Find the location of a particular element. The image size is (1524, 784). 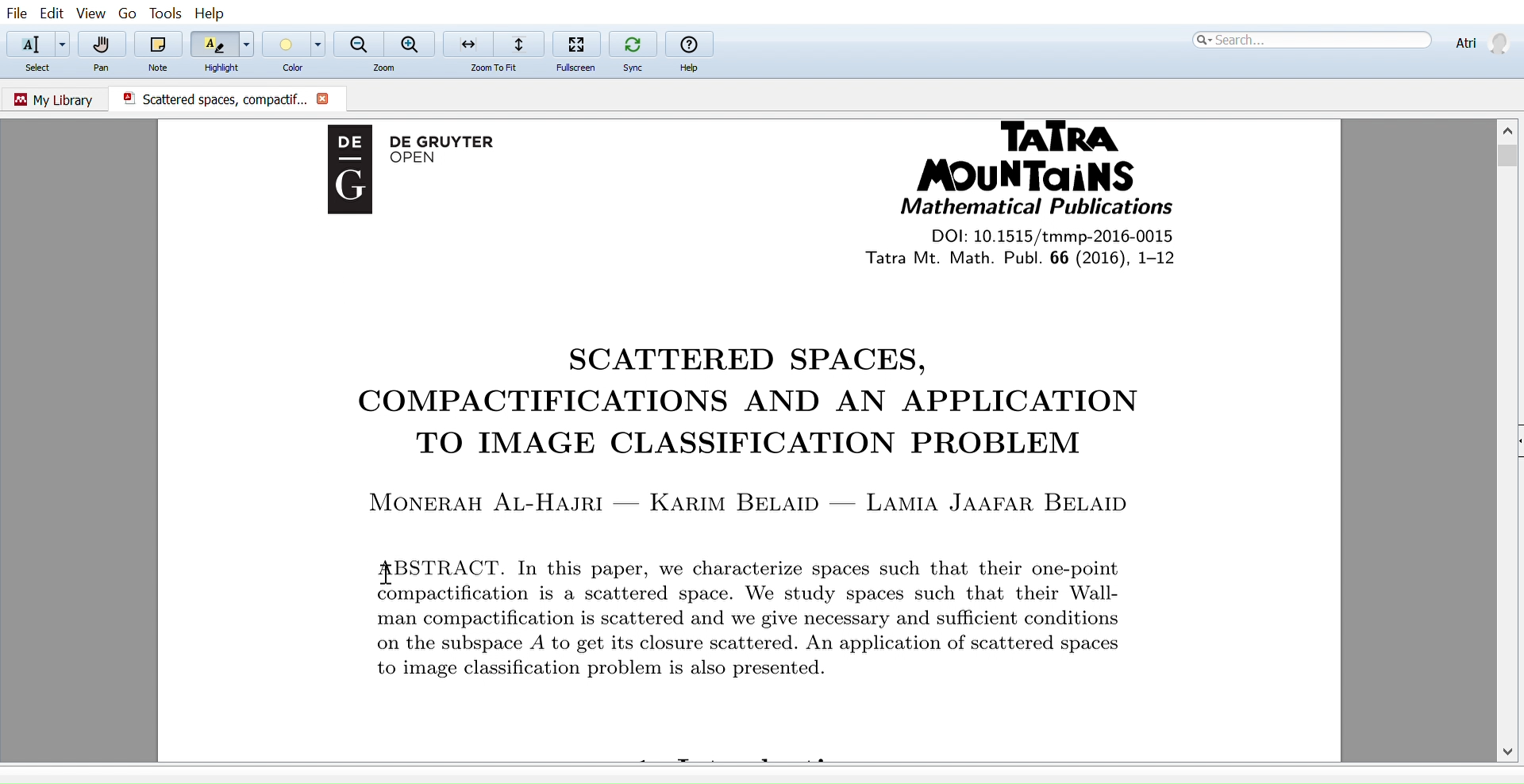

Color options is located at coordinates (320, 44).